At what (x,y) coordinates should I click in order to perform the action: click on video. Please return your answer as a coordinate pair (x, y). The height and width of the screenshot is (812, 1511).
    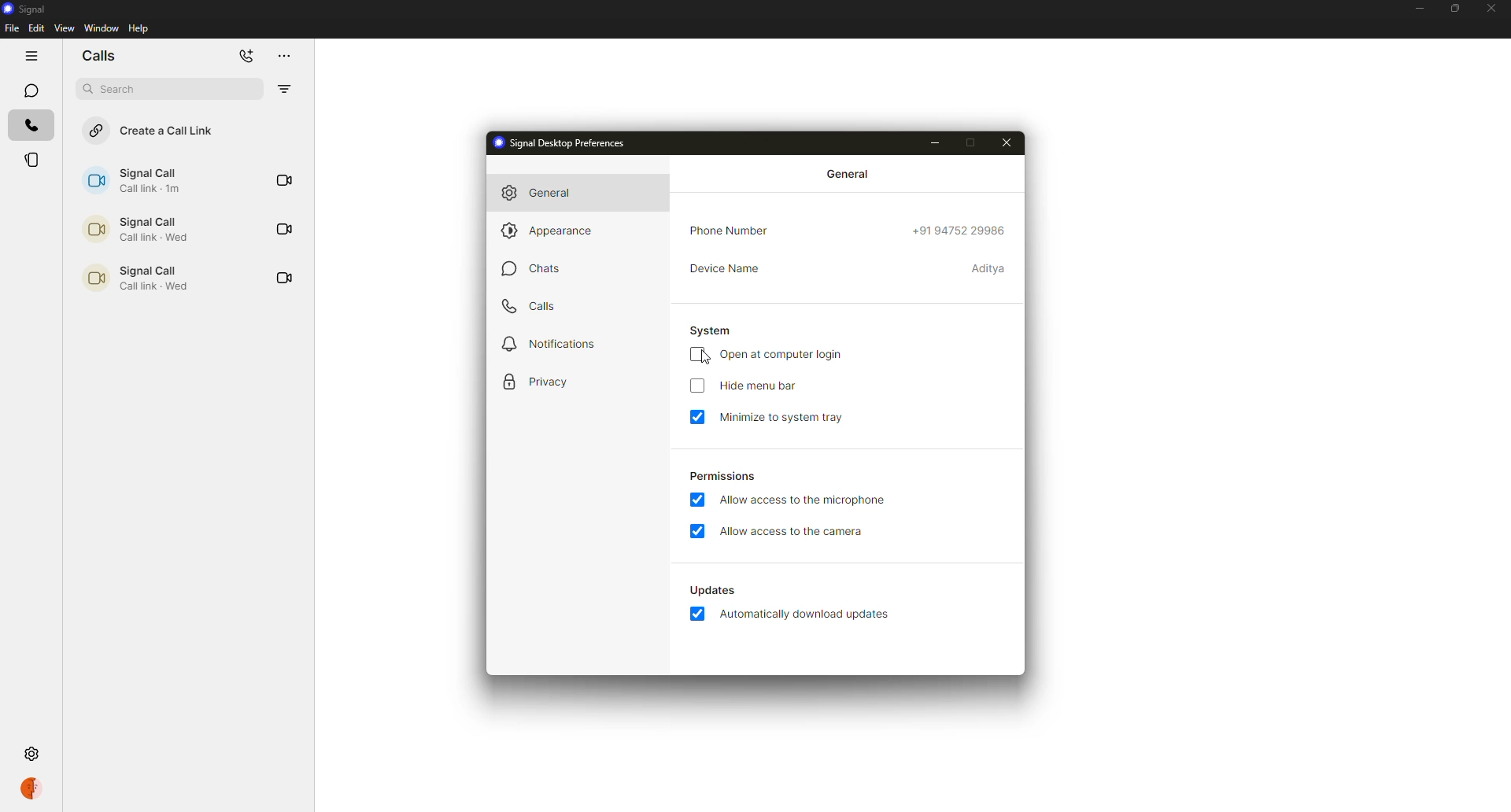
    Looking at the image, I should click on (283, 229).